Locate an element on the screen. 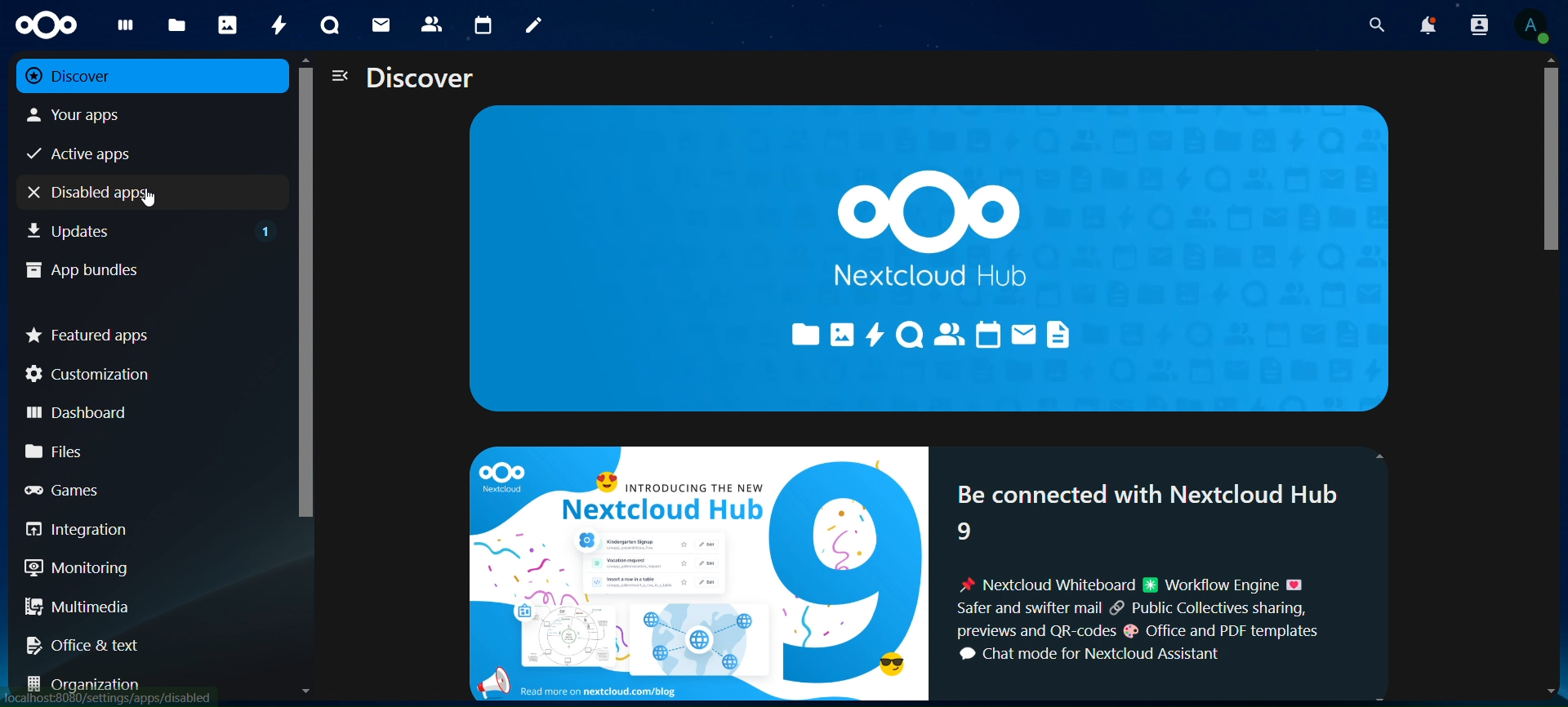  discover is located at coordinates (131, 75).